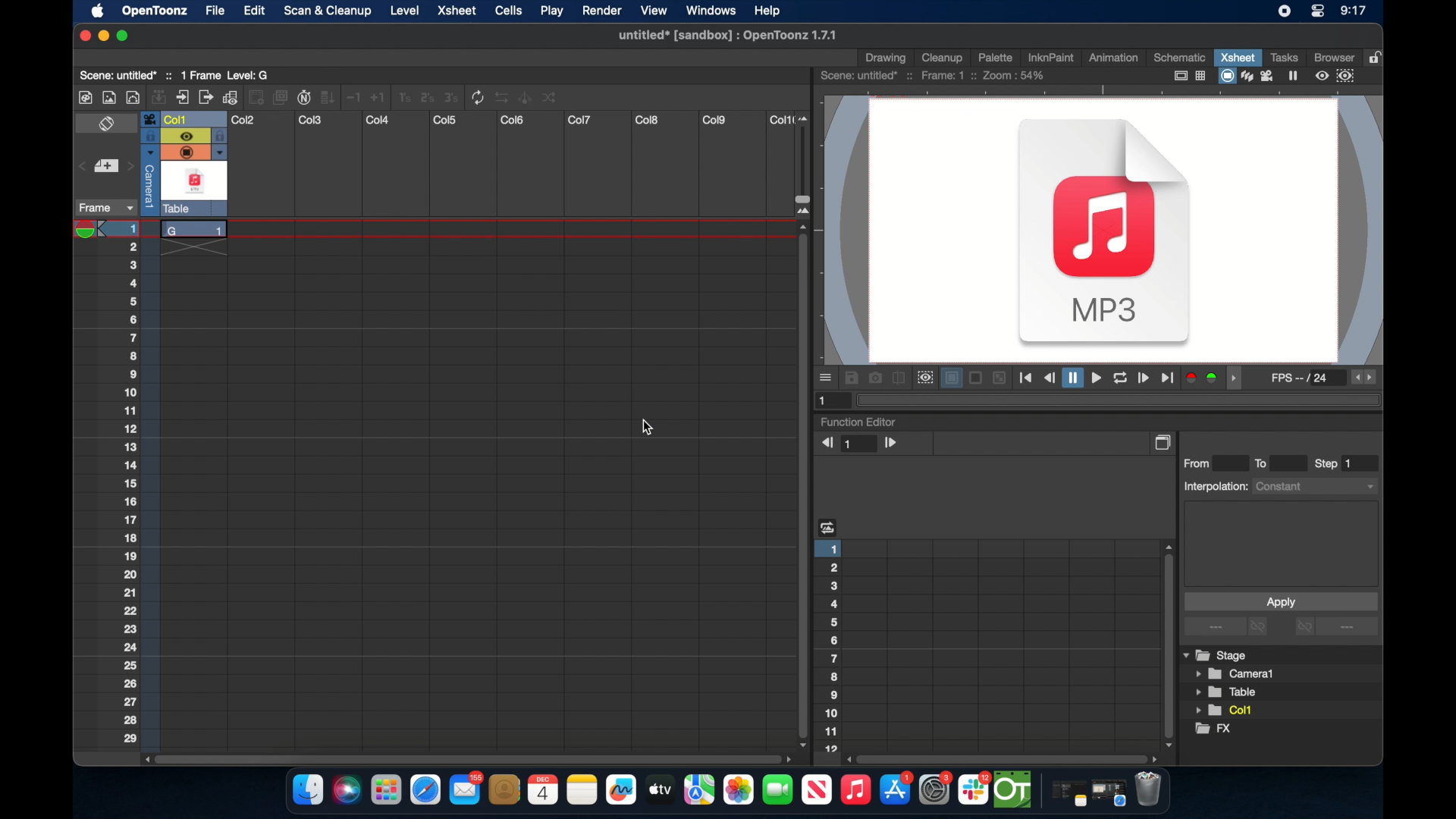 The width and height of the screenshot is (1456, 819). What do you see at coordinates (1337, 76) in the screenshot?
I see `preview` at bounding box center [1337, 76].